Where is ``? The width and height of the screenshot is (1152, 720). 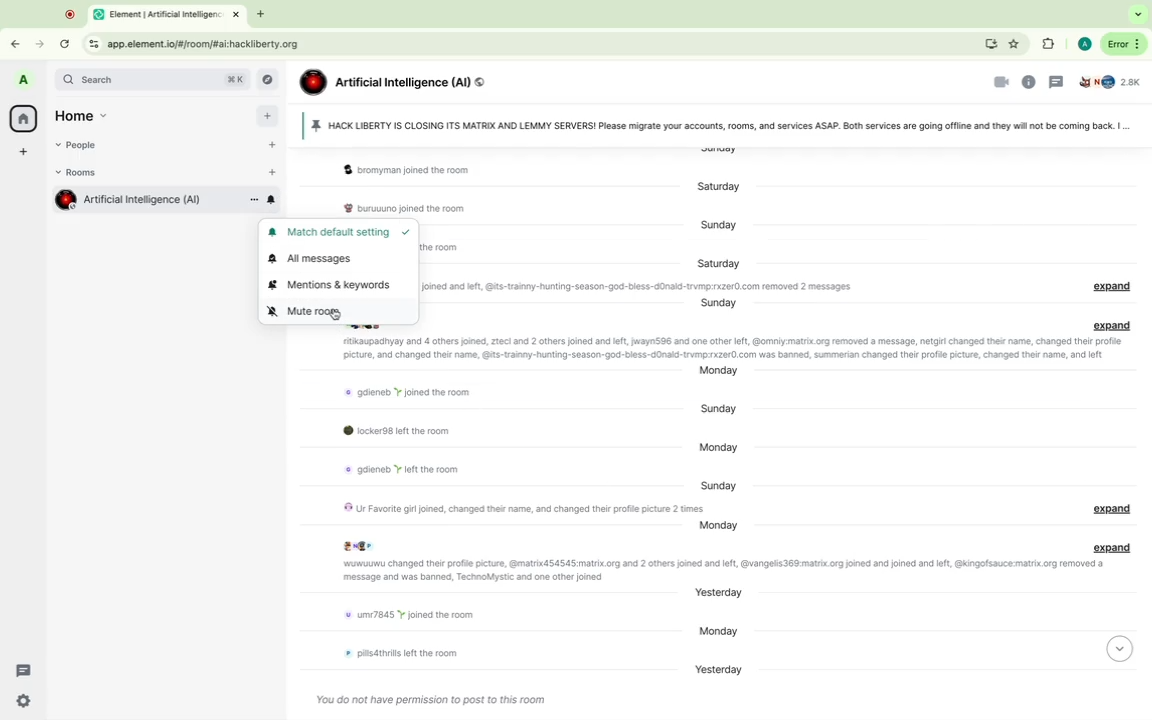  is located at coordinates (334, 314).